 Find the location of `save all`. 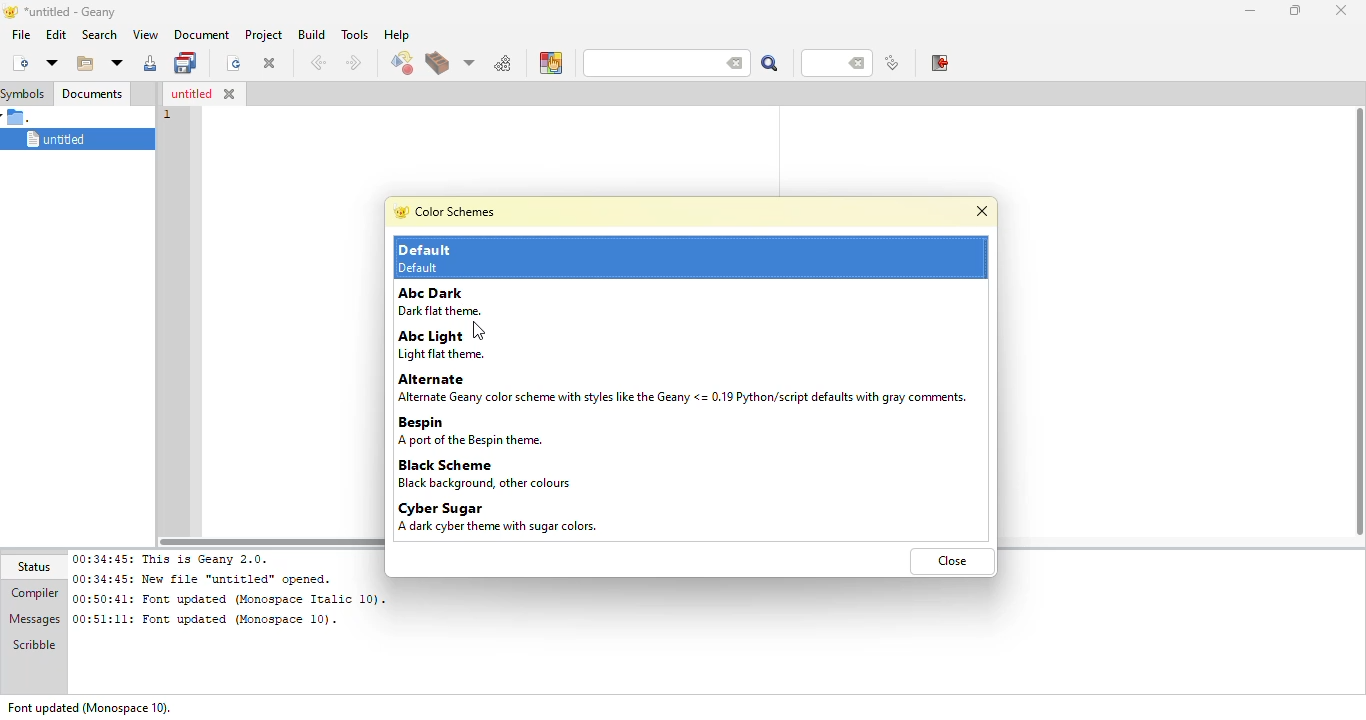

save all is located at coordinates (187, 61).